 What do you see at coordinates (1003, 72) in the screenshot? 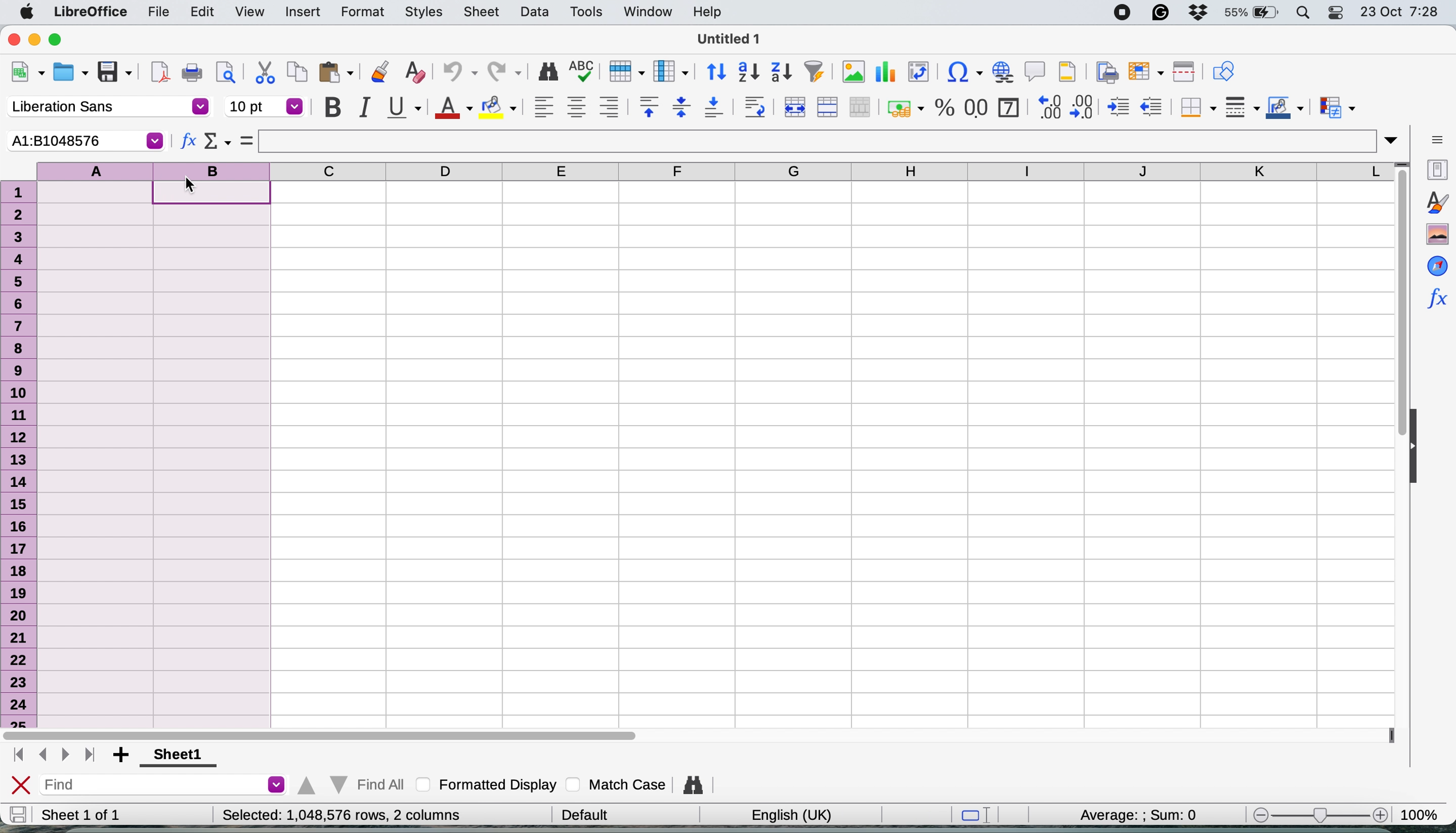
I see `insert hyperlink` at bounding box center [1003, 72].